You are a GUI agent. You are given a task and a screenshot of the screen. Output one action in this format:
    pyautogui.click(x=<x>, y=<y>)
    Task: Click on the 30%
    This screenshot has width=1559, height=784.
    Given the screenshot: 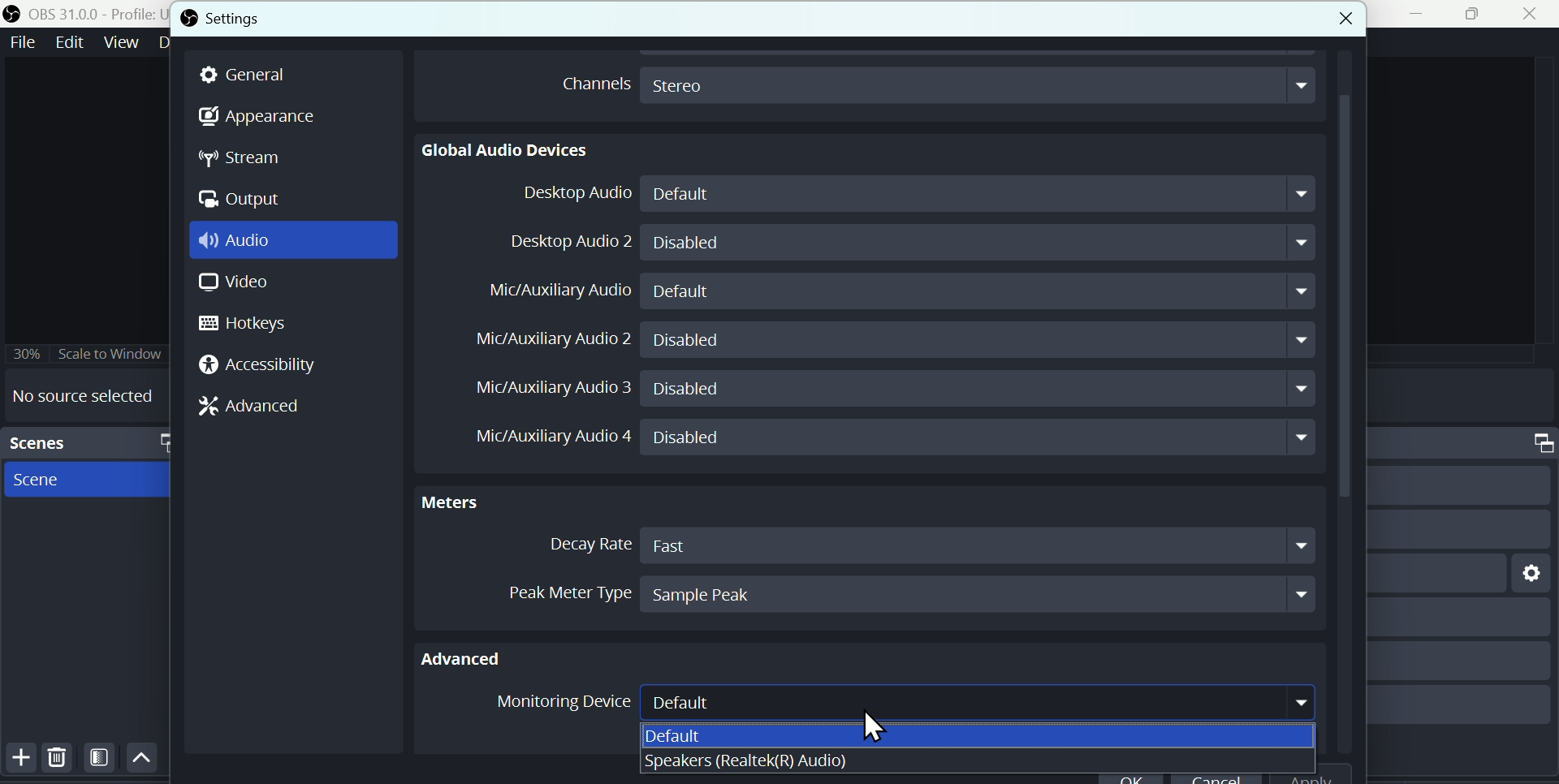 What is the action you would take?
    pyautogui.click(x=26, y=351)
    